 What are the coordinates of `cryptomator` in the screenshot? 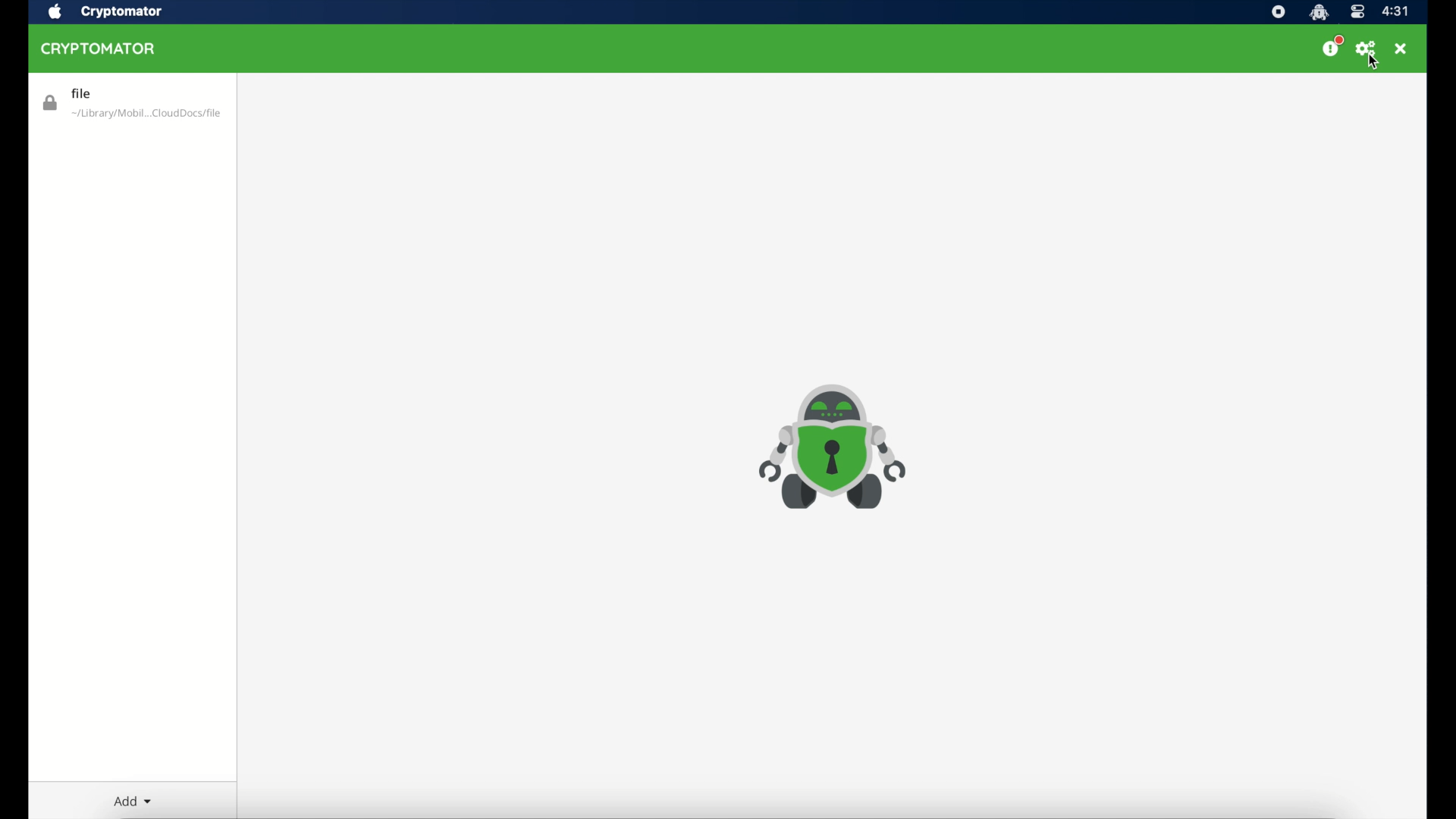 It's located at (124, 12).